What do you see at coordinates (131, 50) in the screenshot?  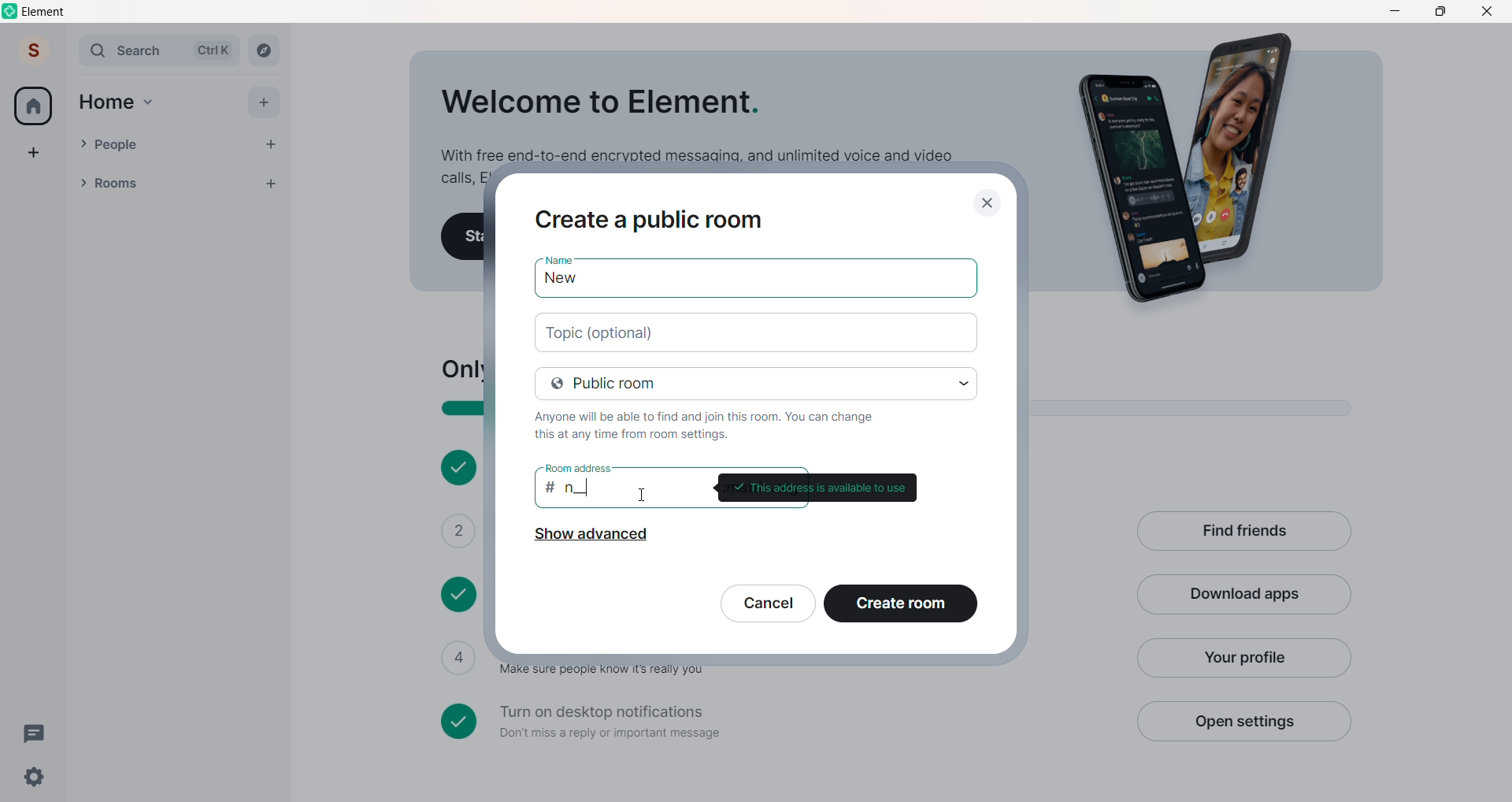 I see `Search Bar` at bounding box center [131, 50].